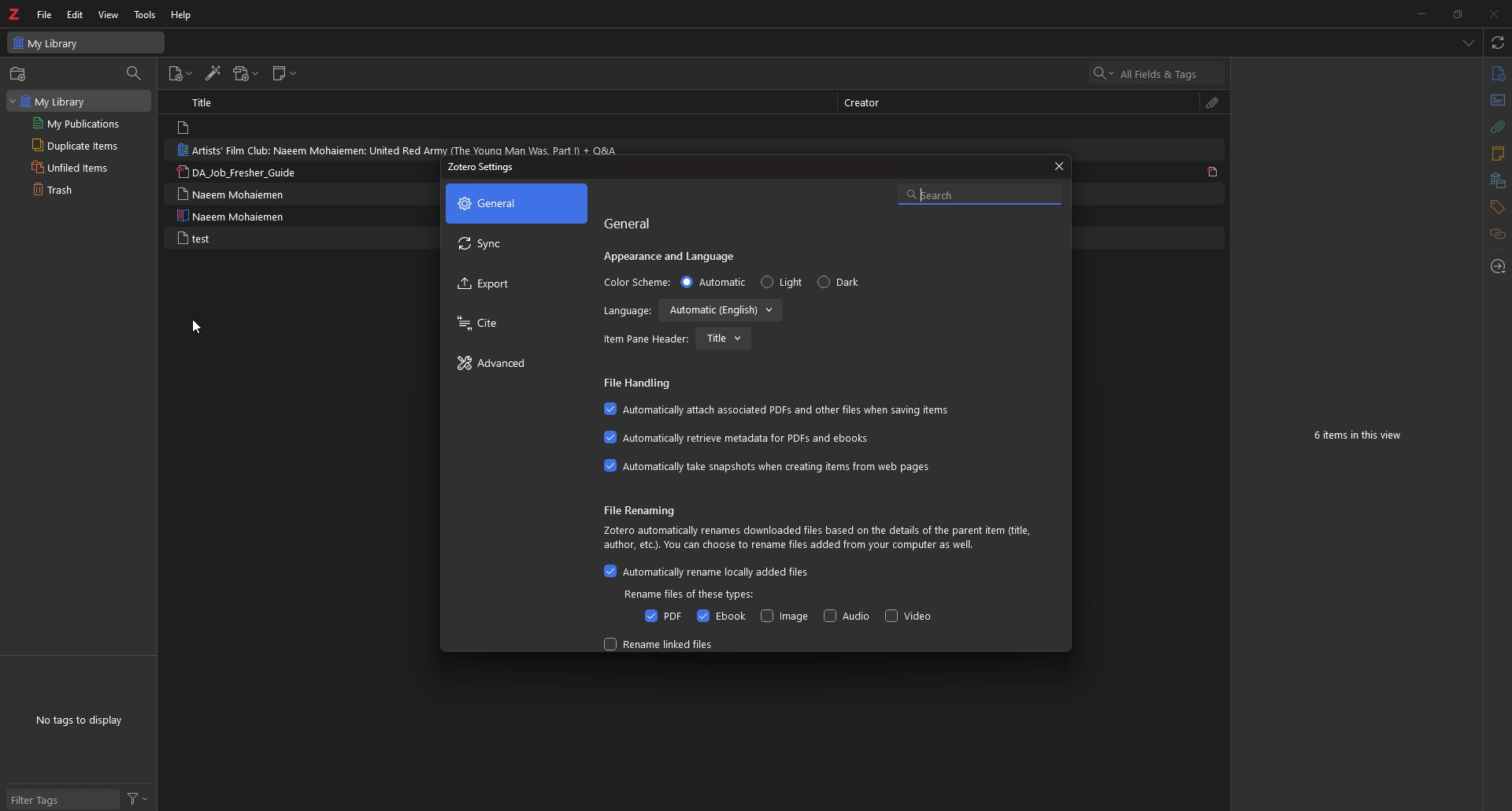 The width and height of the screenshot is (1512, 811). I want to click on Artists’ Film Club: Naeem Mohaiemen: United Red Army (The Young Man Was, Part I) + Q&A, so click(403, 149).